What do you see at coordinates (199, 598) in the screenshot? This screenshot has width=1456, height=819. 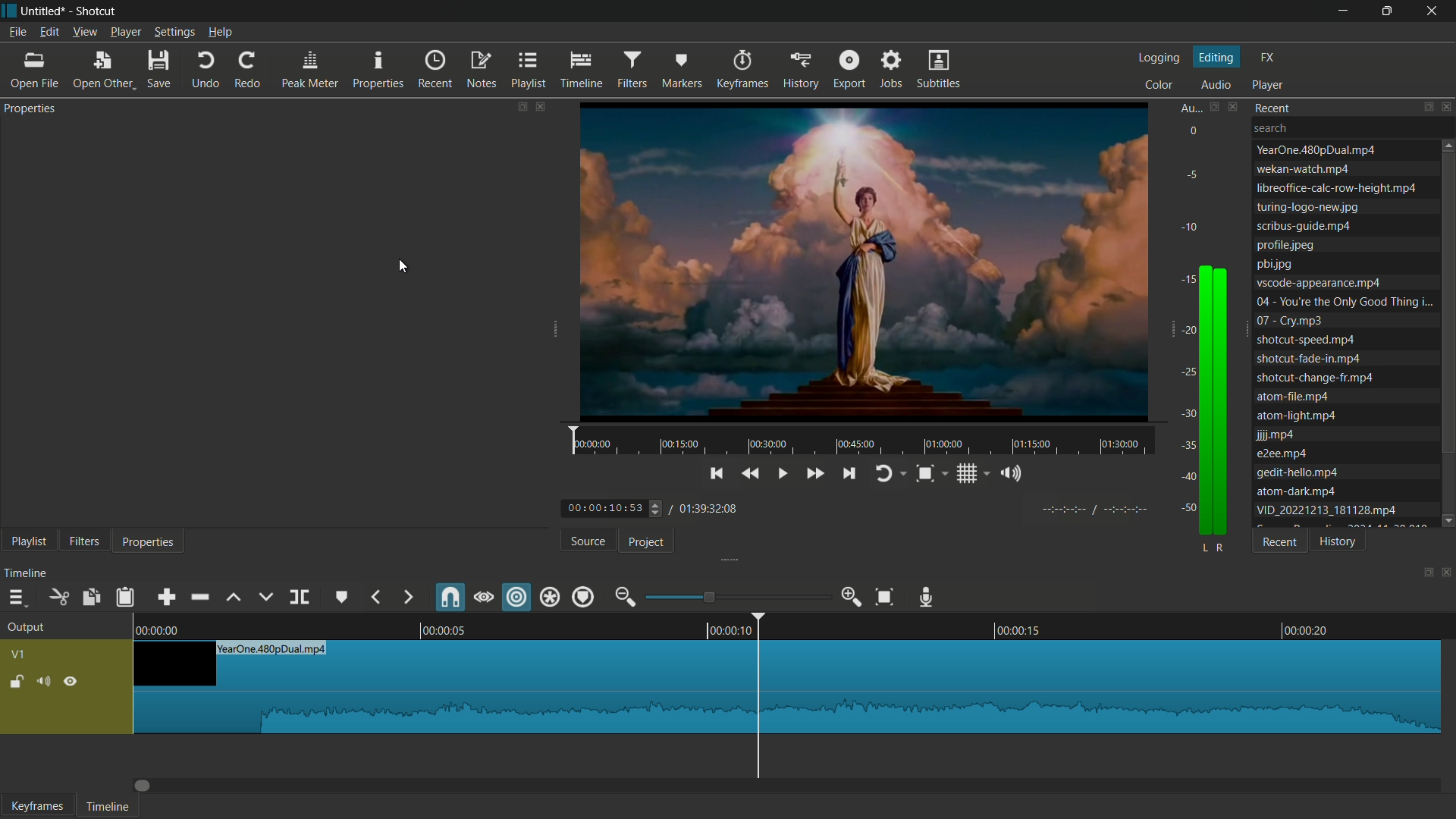 I see `ripple delete` at bounding box center [199, 598].